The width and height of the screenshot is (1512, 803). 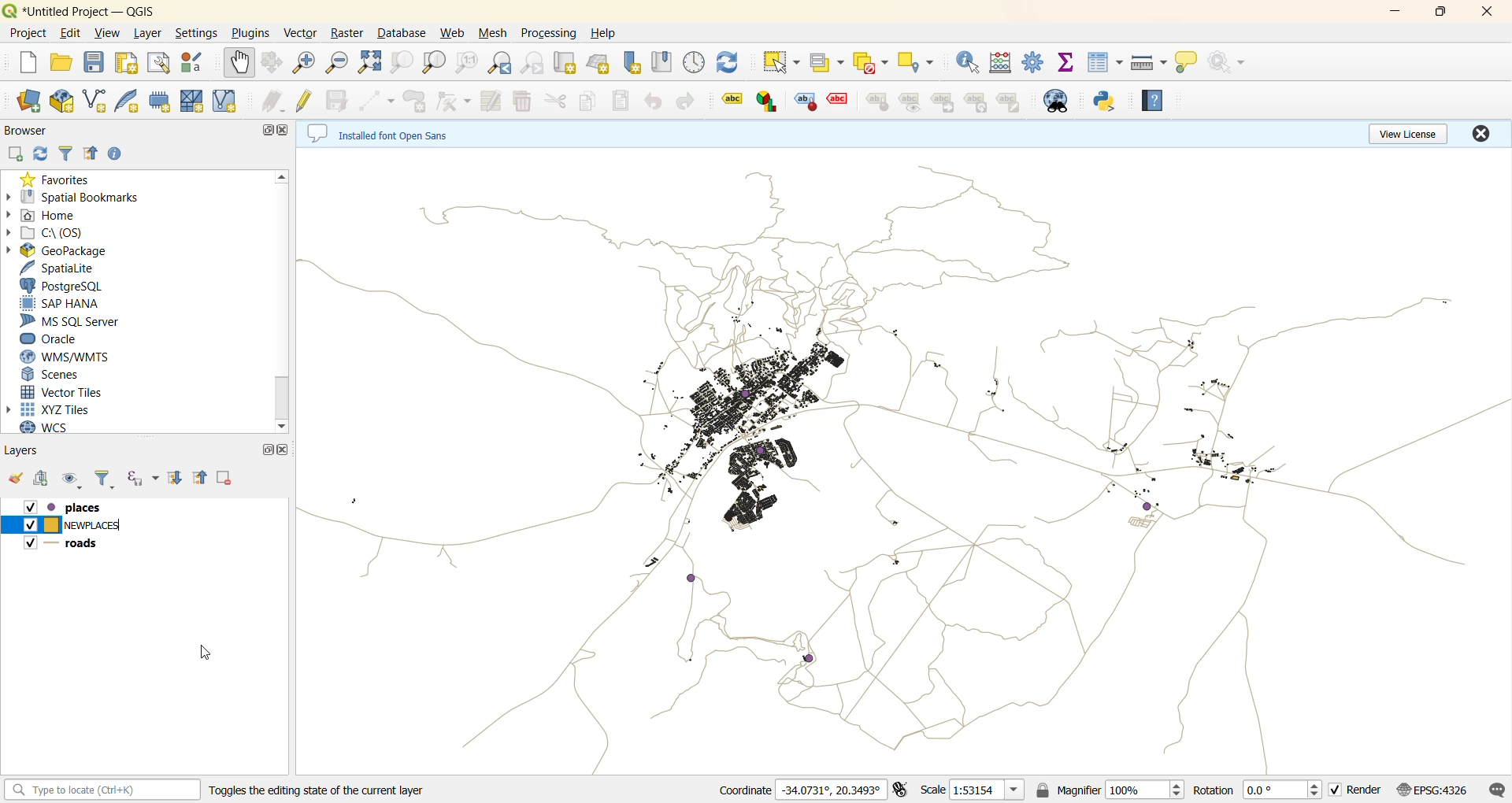 What do you see at coordinates (911, 102) in the screenshot?
I see `preview` at bounding box center [911, 102].